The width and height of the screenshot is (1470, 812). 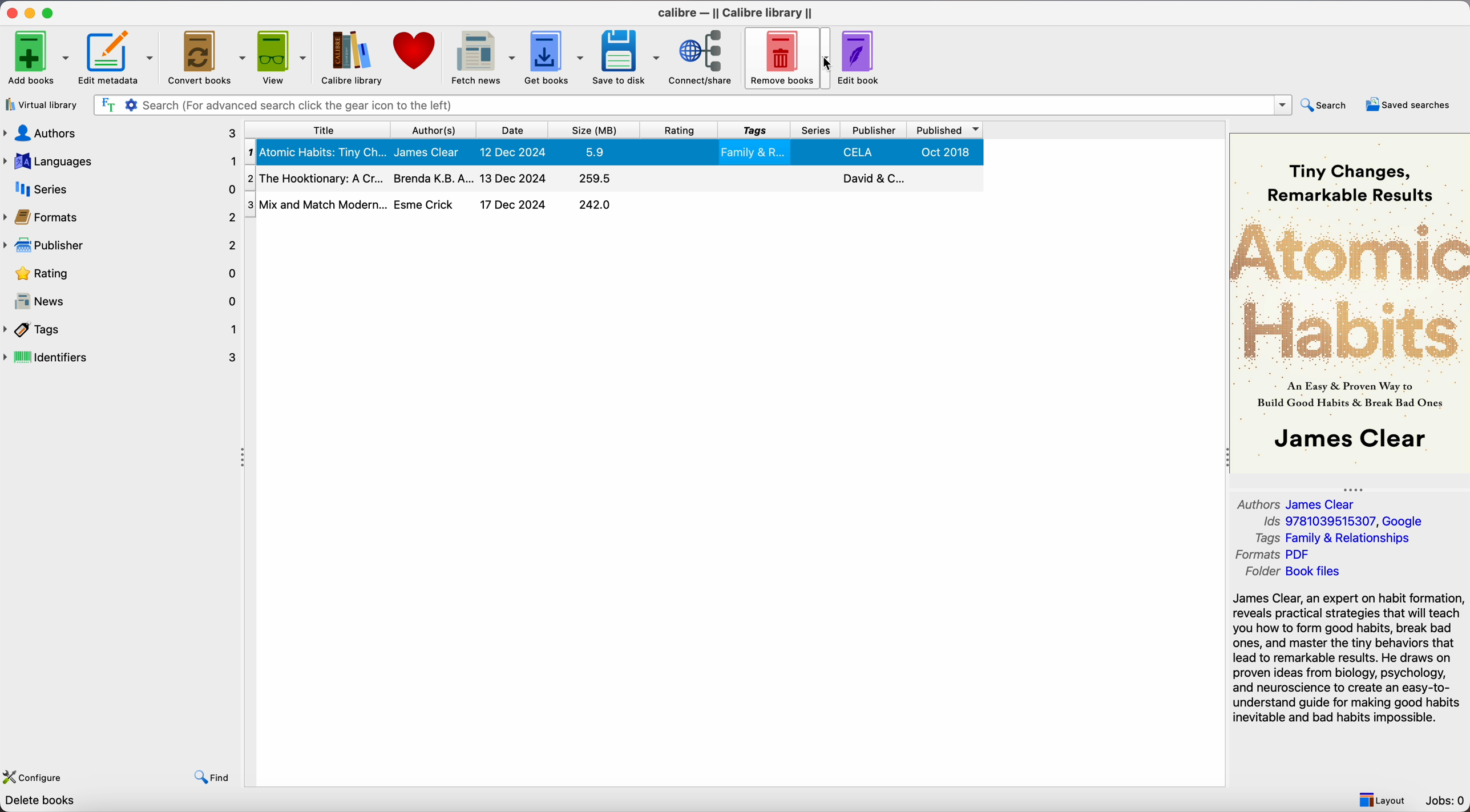 I want to click on close program, so click(x=12, y=12).